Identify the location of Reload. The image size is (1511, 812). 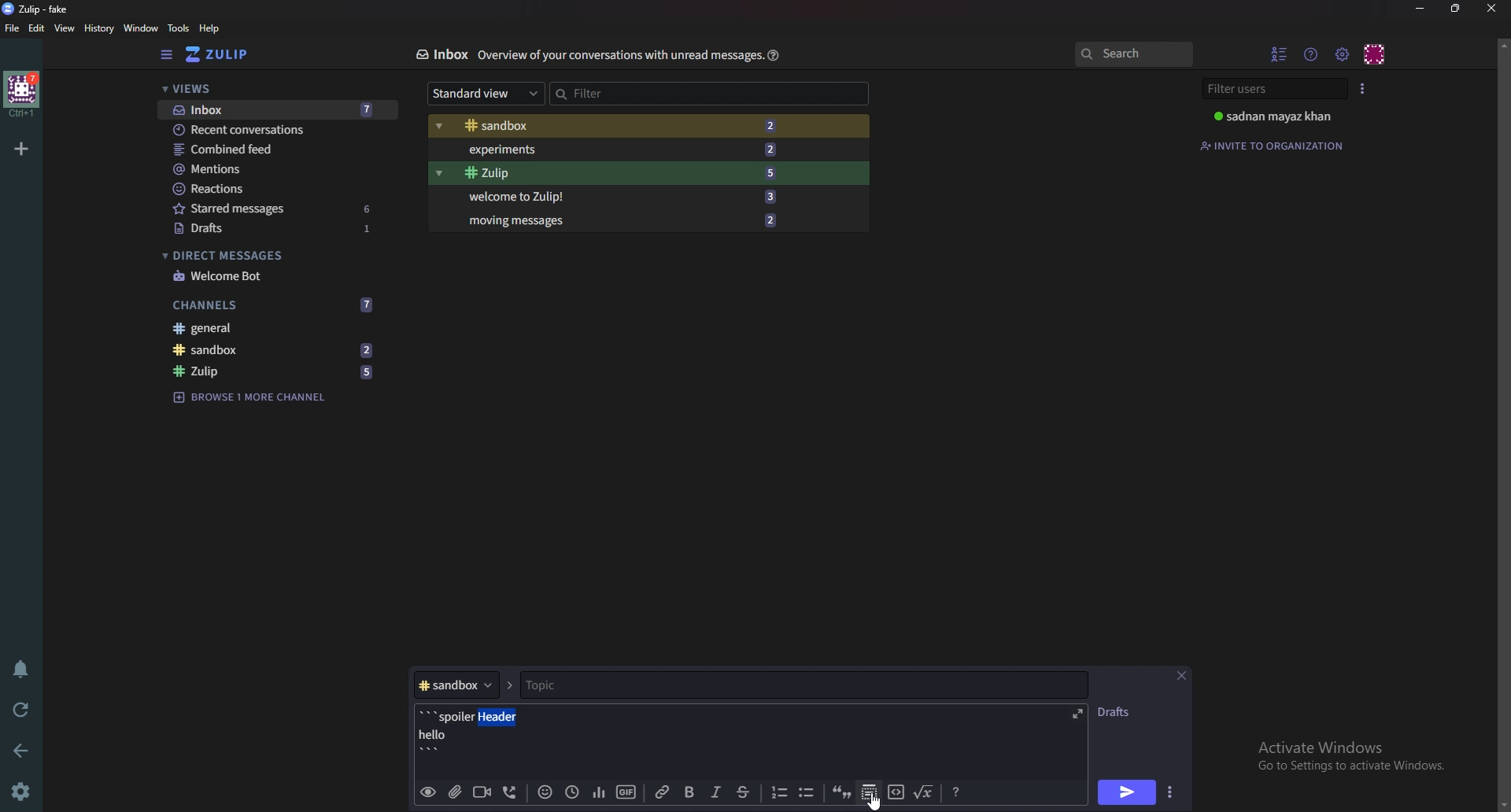
(24, 709).